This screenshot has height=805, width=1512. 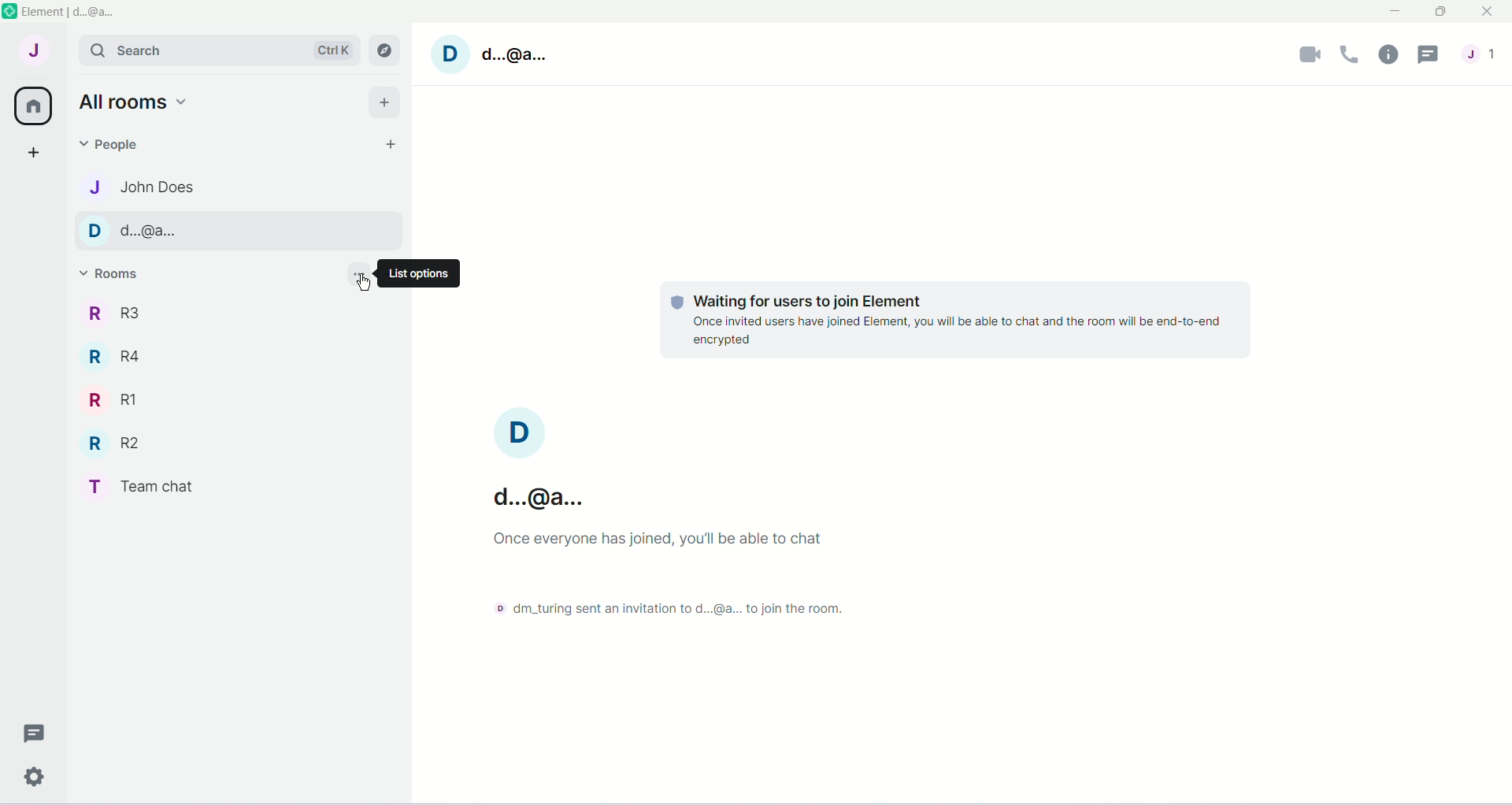 What do you see at coordinates (429, 273) in the screenshot?
I see `List Options` at bounding box center [429, 273].